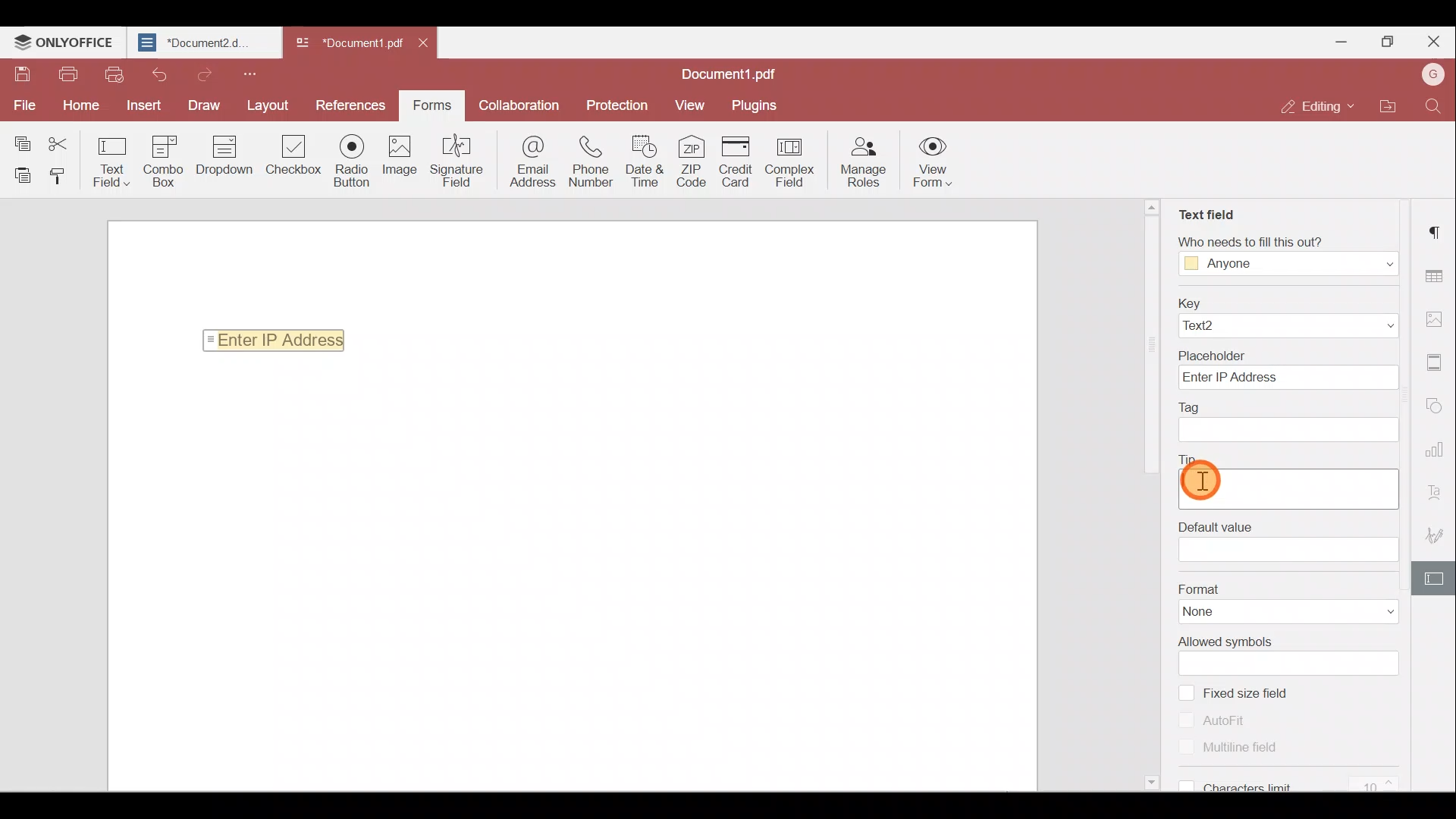 This screenshot has width=1456, height=819. What do you see at coordinates (691, 105) in the screenshot?
I see `View` at bounding box center [691, 105].